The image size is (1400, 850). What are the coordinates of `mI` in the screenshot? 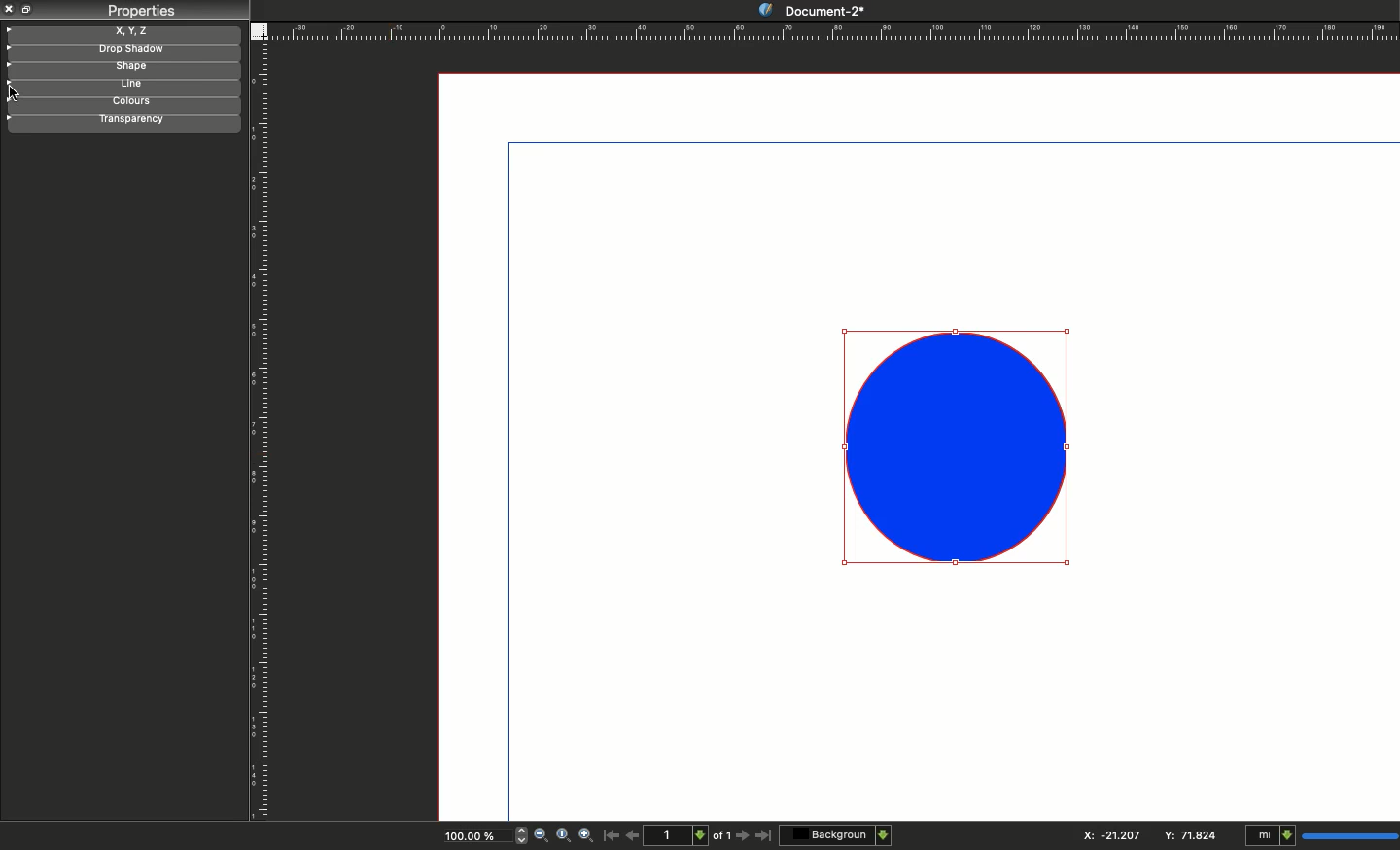 It's located at (1318, 836).